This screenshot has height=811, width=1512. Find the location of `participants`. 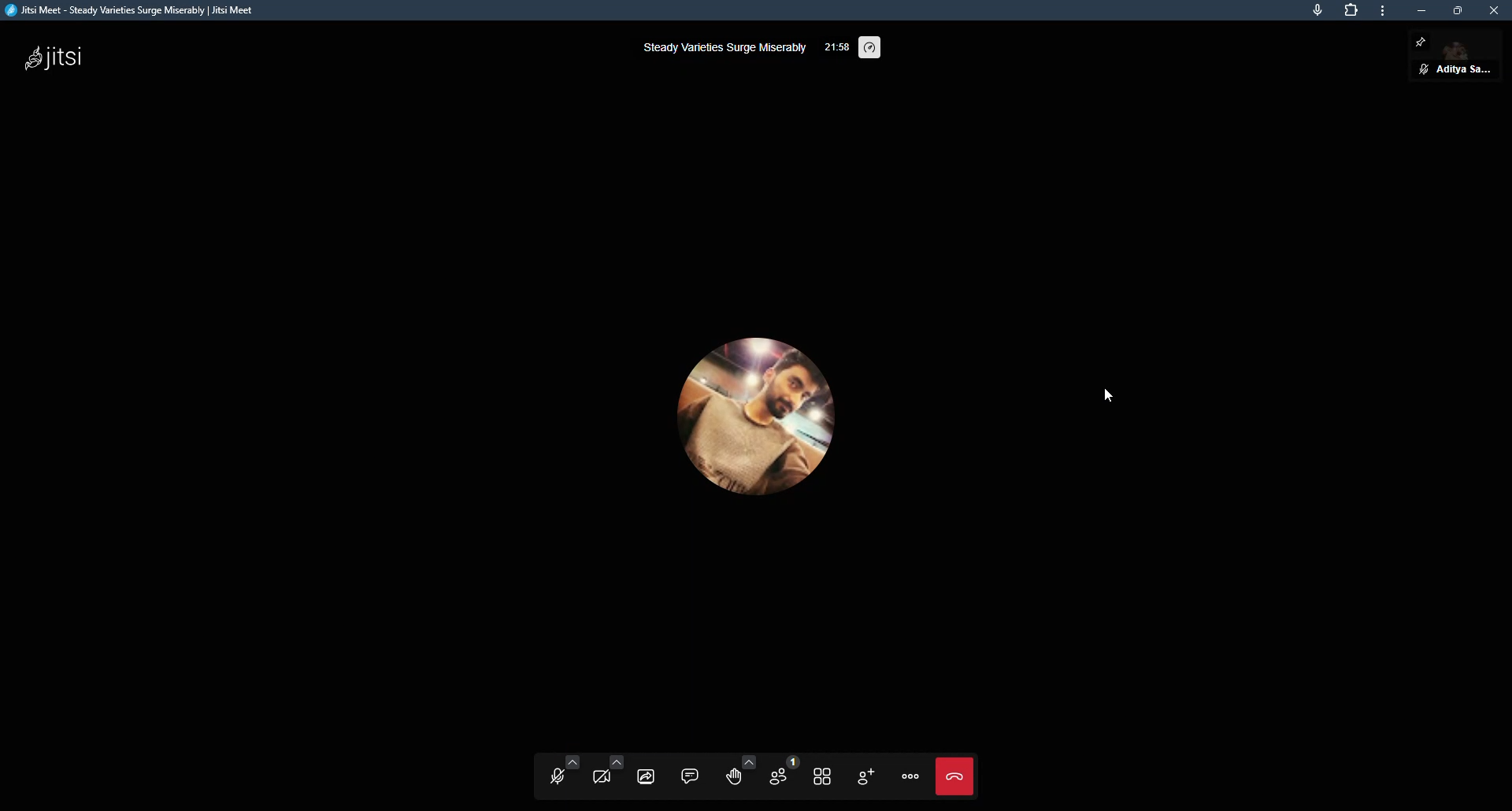

participants is located at coordinates (783, 772).